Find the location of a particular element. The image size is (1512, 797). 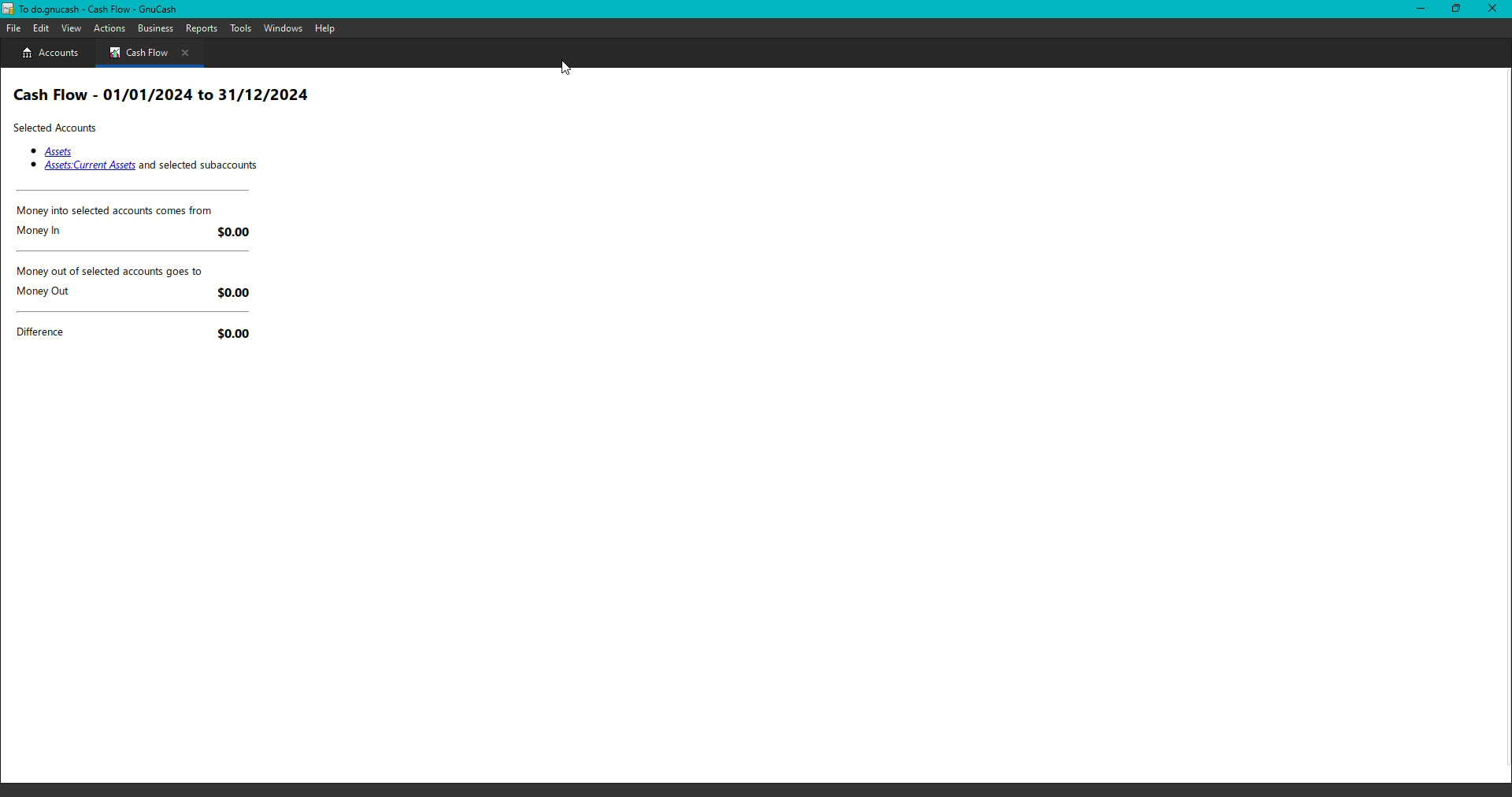

Money Out is located at coordinates (43, 291).